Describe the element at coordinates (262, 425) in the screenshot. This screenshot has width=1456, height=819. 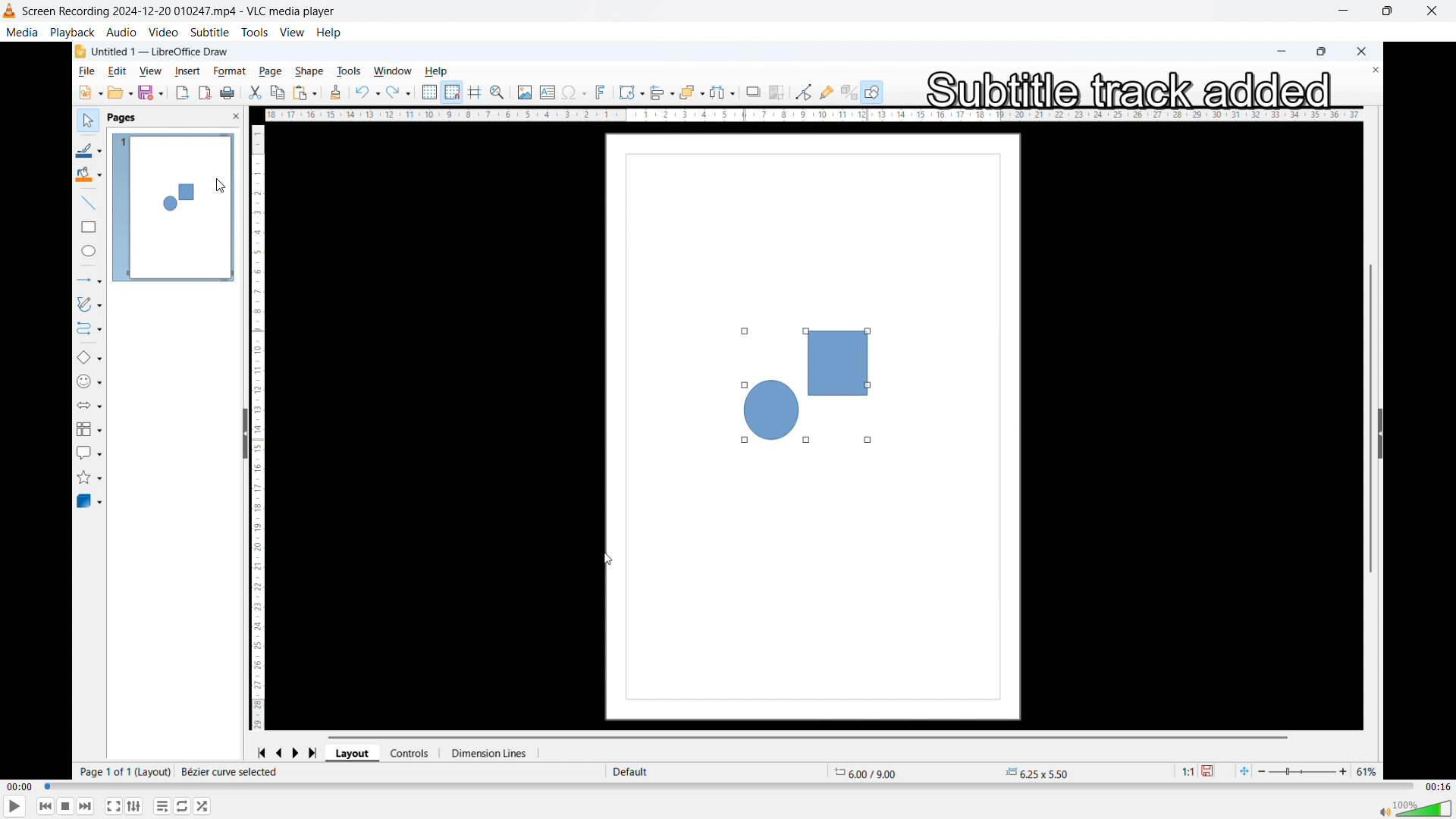
I see `ruler` at that location.